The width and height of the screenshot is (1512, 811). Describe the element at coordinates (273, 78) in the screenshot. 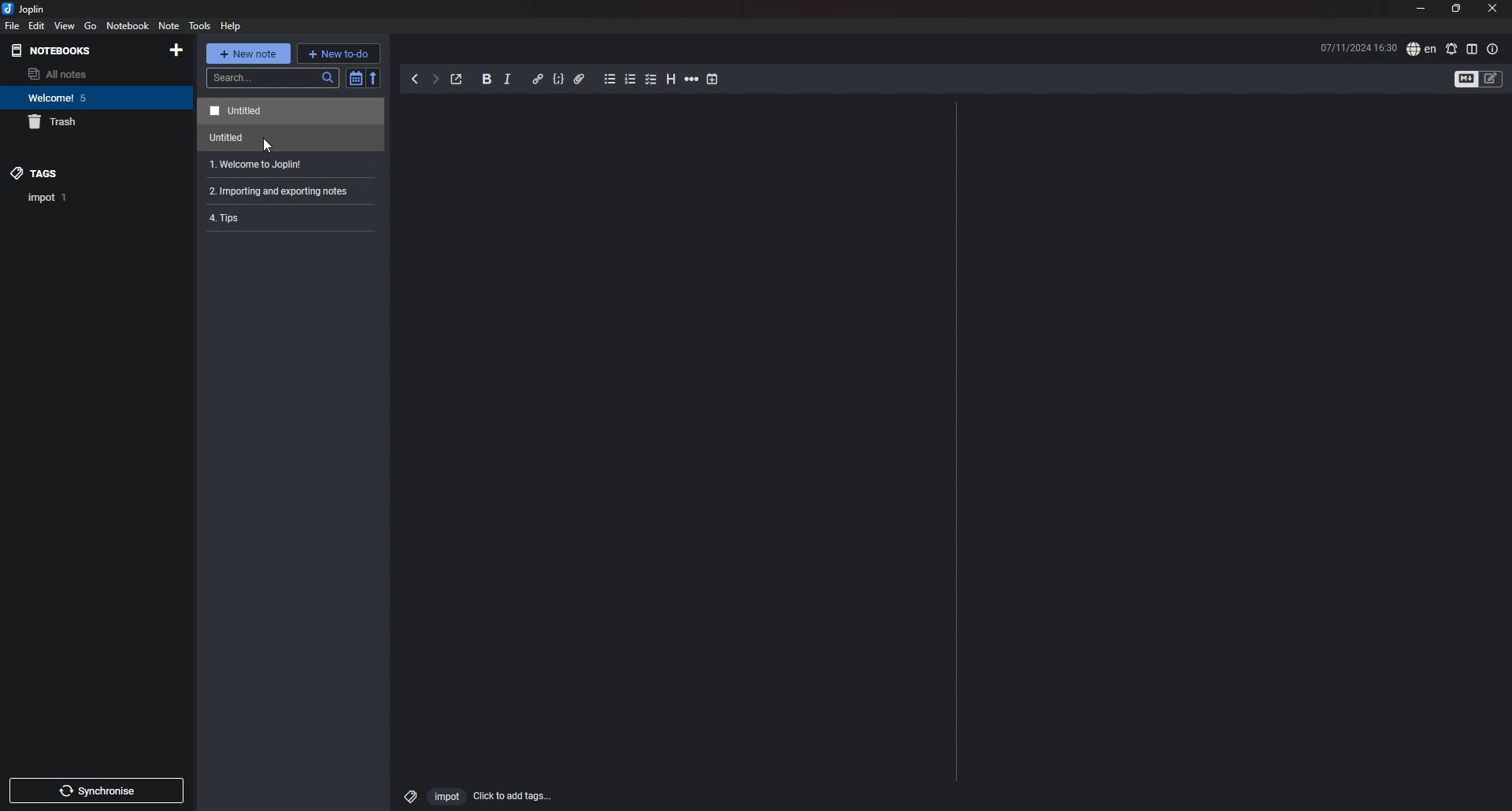

I see `search` at that location.